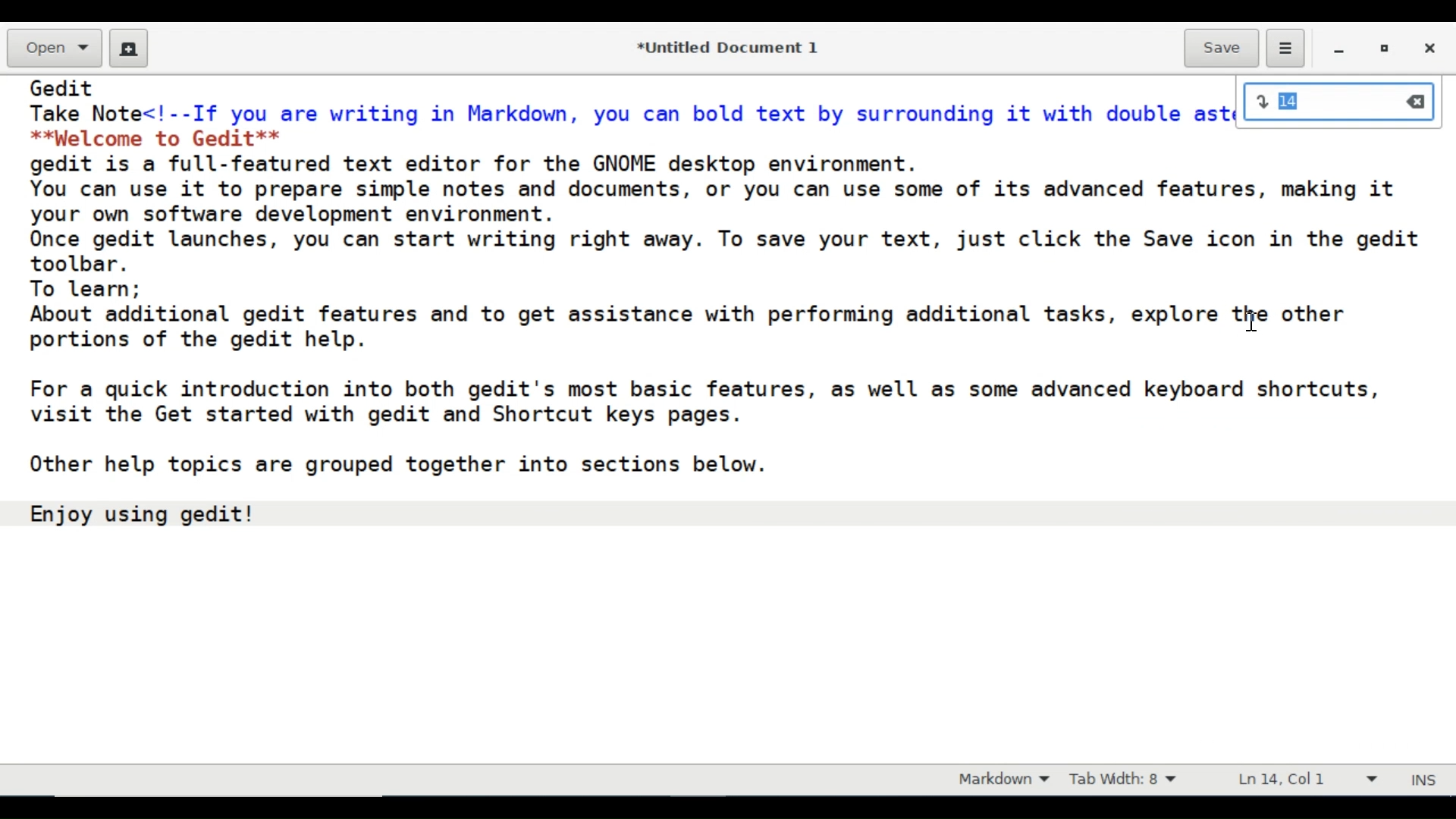  I want to click on Enjoy using gedit!, so click(143, 513).